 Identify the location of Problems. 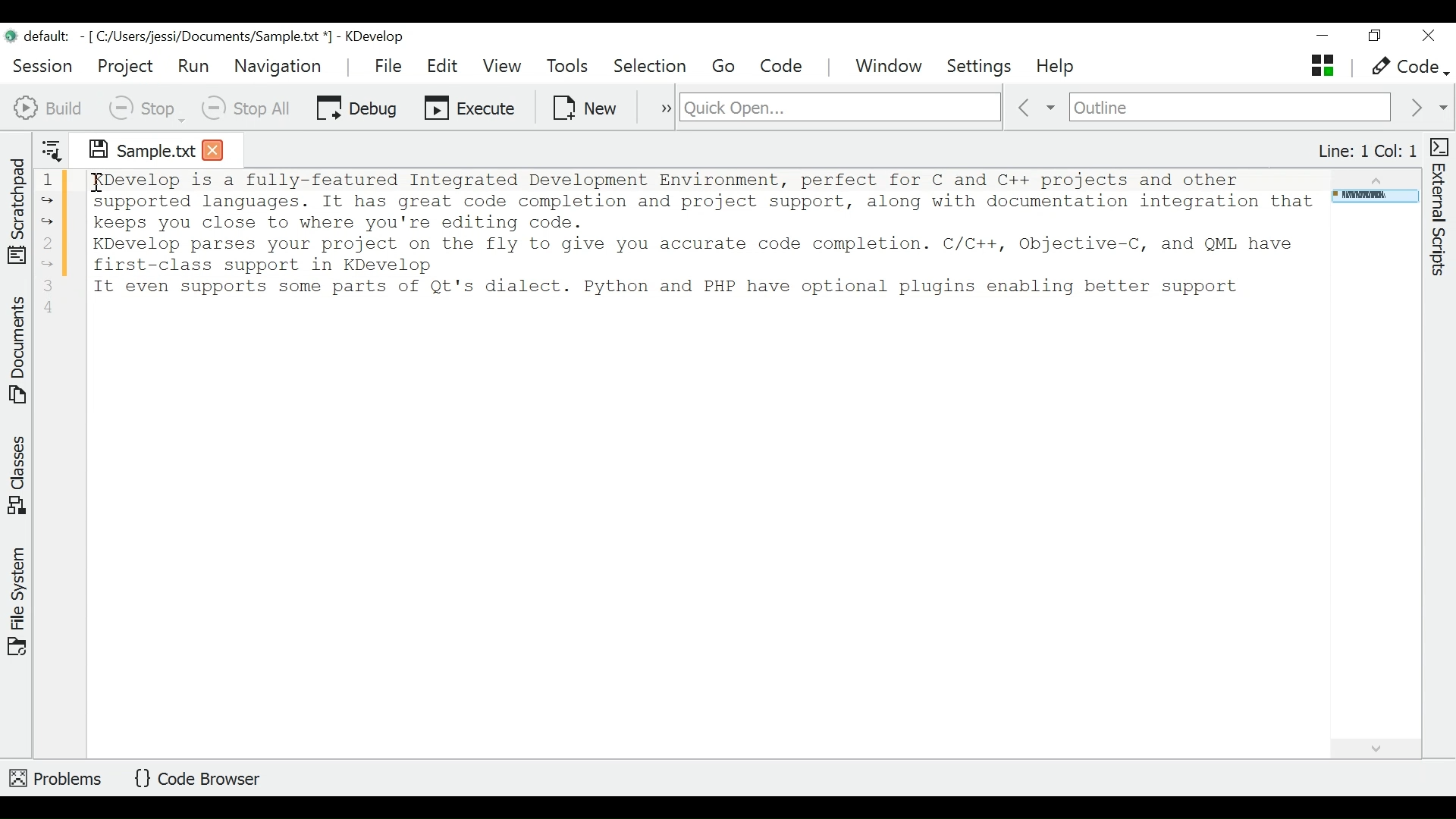
(57, 776).